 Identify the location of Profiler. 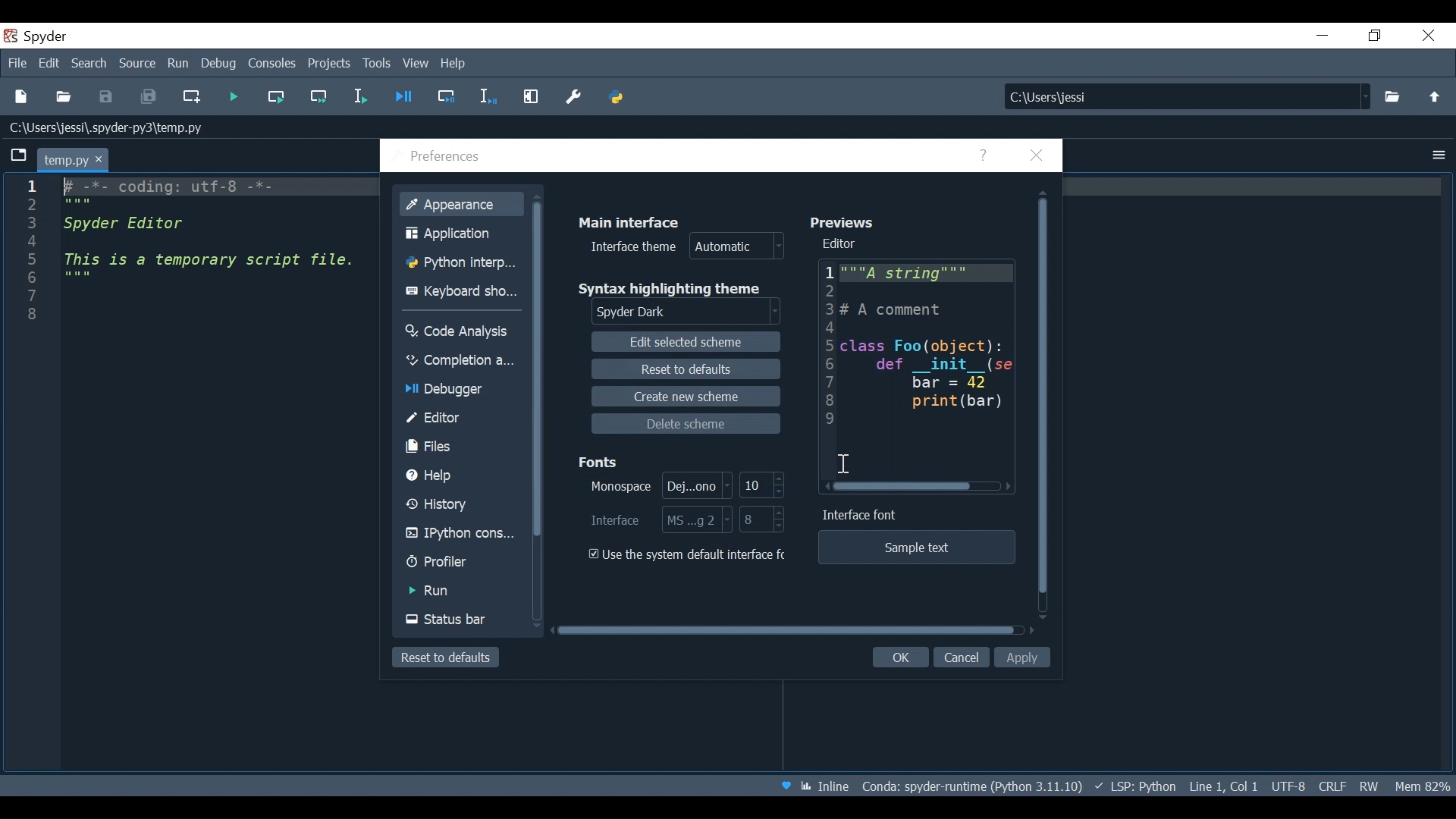
(460, 563).